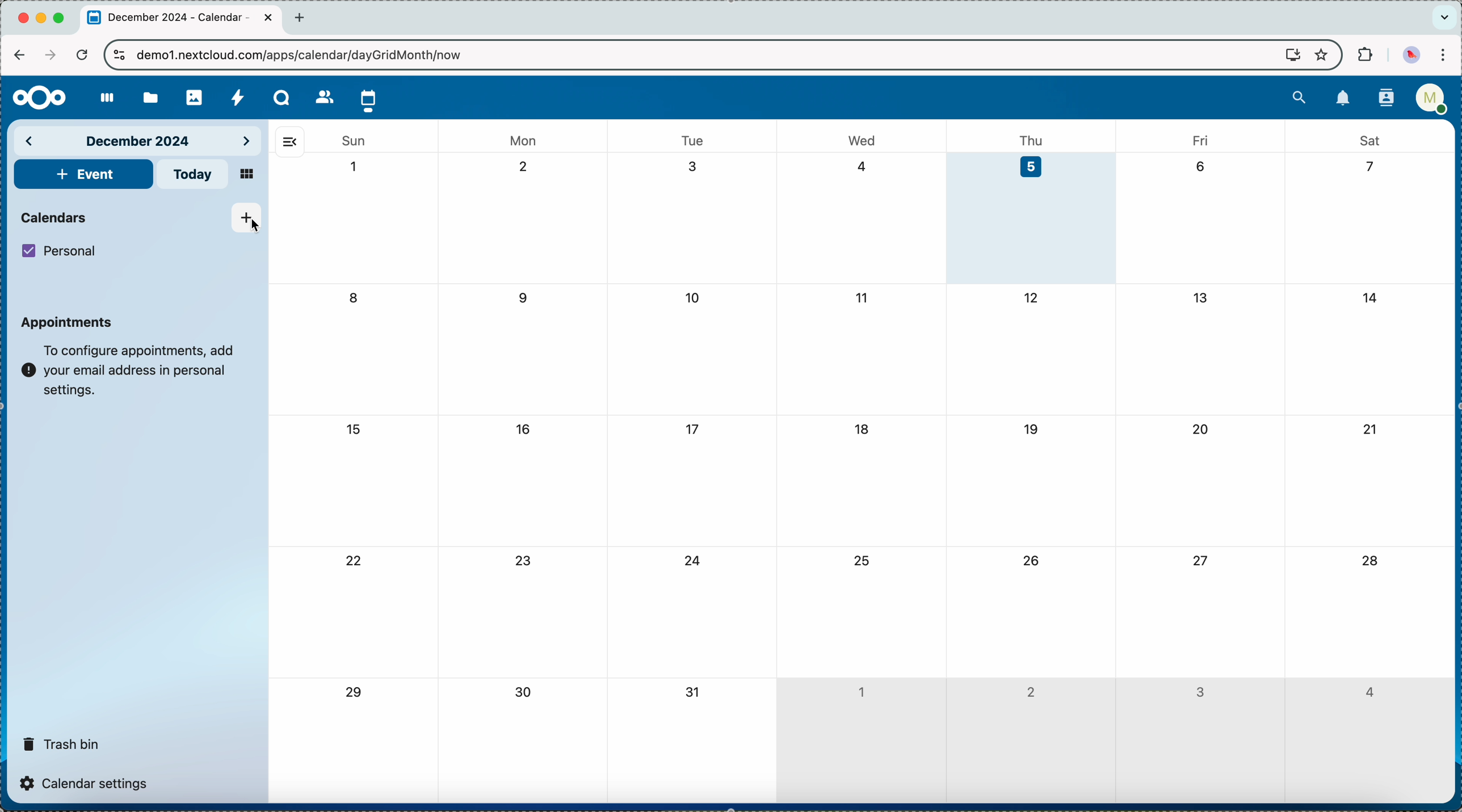 This screenshot has width=1462, height=812. I want to click on trash bin, so click(62, 740).